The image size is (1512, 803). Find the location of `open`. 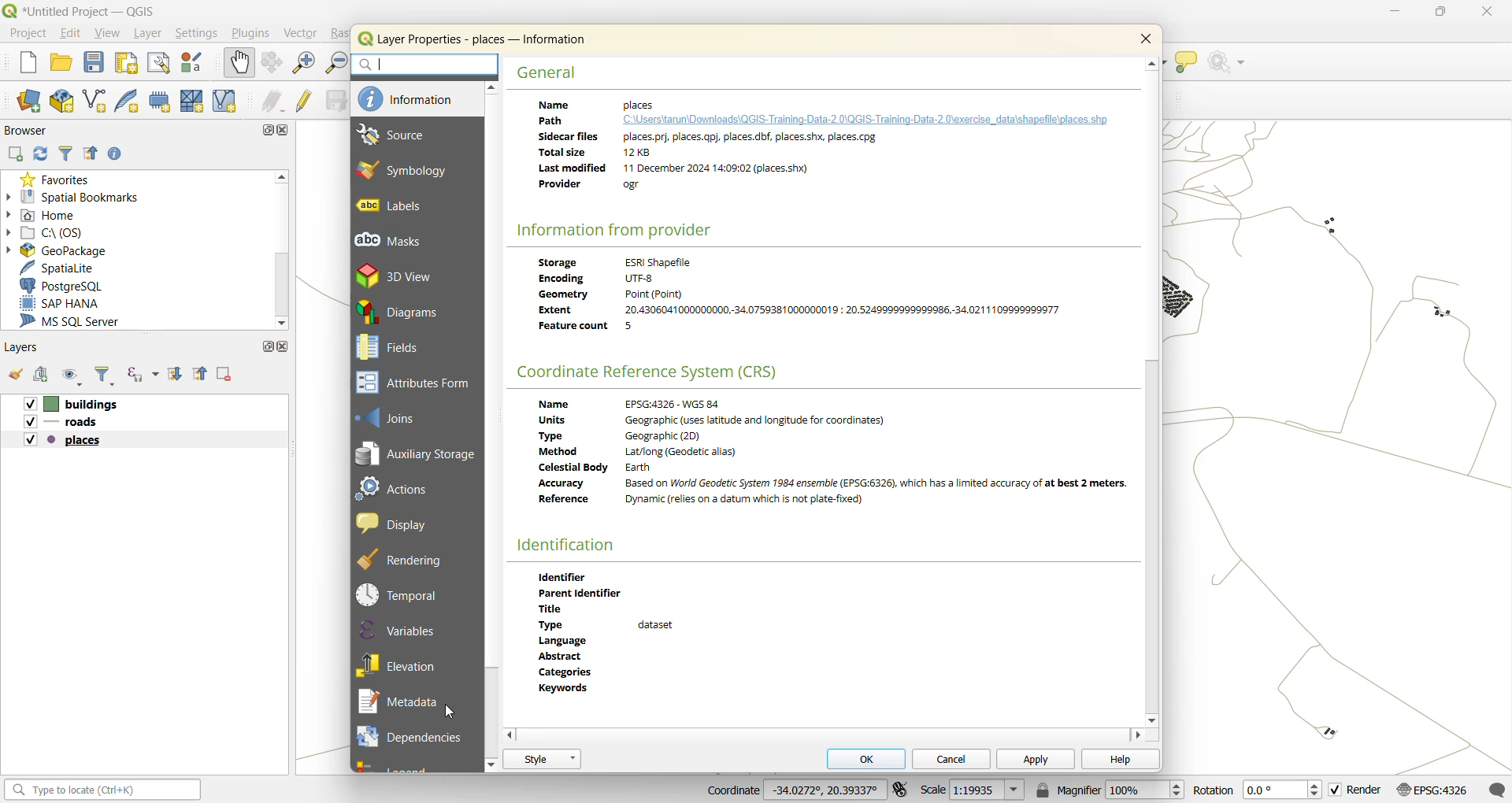

open is located at coordinates (17, 375).